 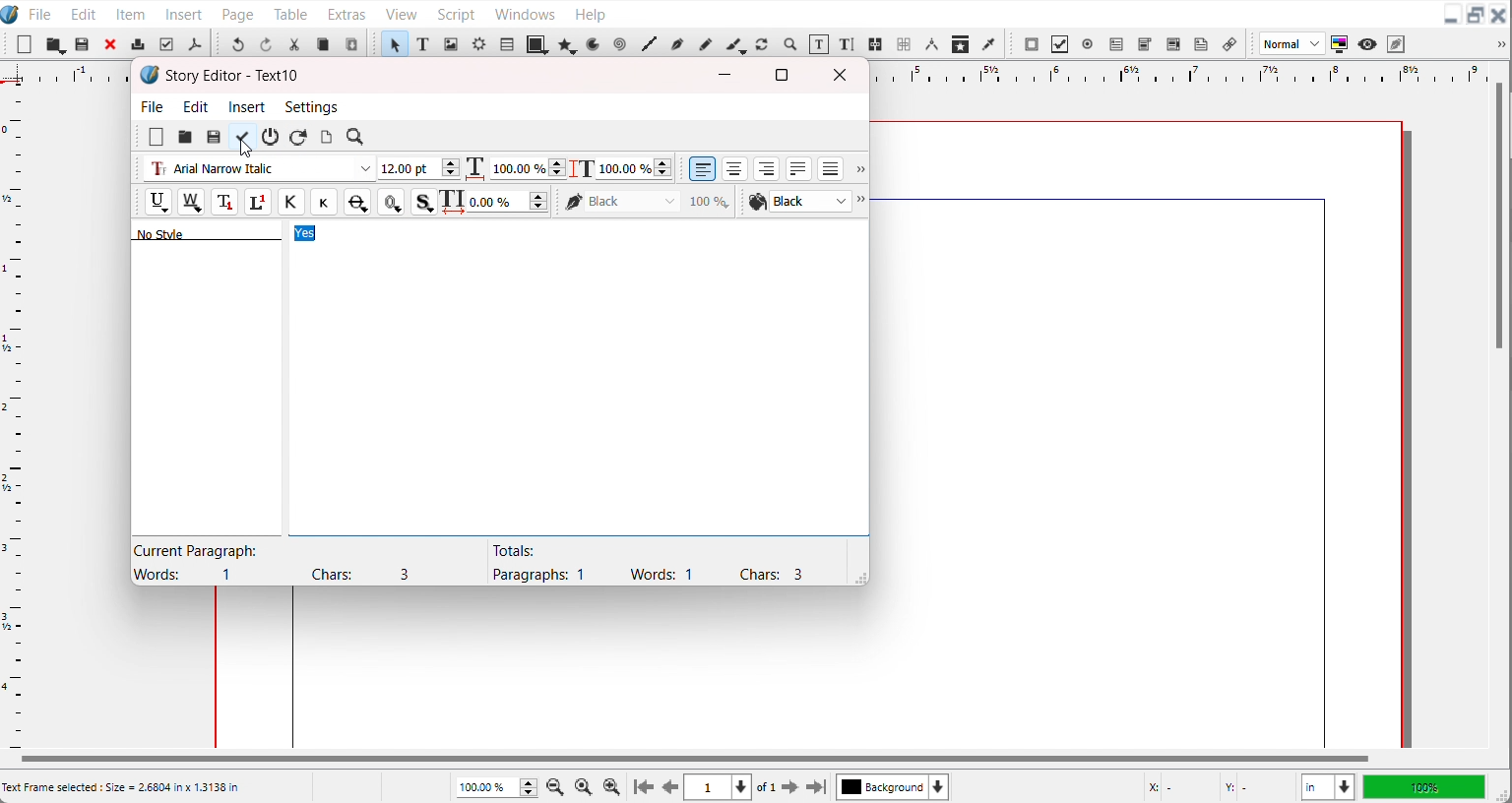 I want to click on Polygon, so click(x=568, y=44).